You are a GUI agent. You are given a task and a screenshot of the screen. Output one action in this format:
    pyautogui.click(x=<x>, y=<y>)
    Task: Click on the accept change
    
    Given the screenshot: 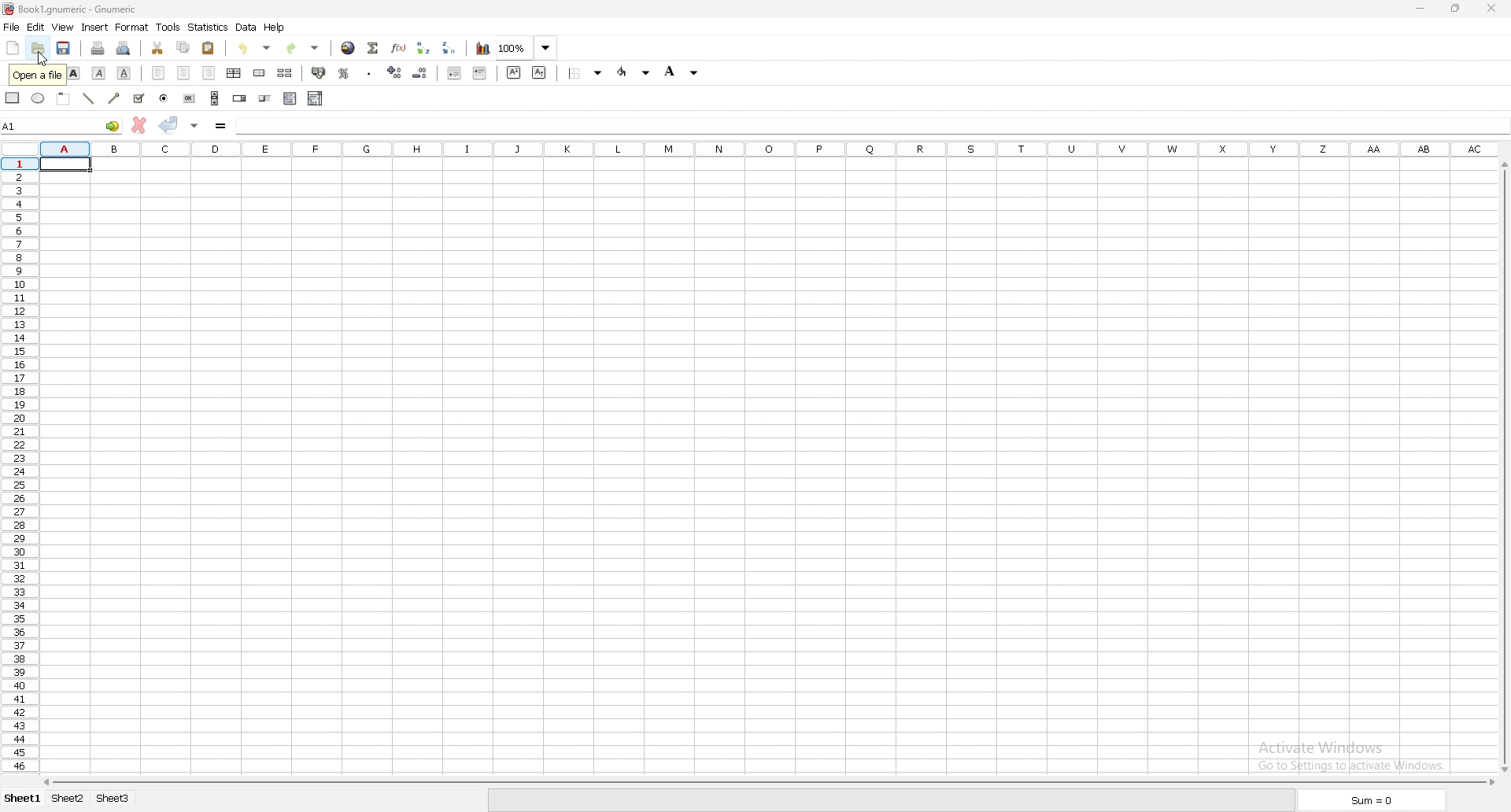 What is the action you would take?
    pyautogui.click(x=168, y=124)
    